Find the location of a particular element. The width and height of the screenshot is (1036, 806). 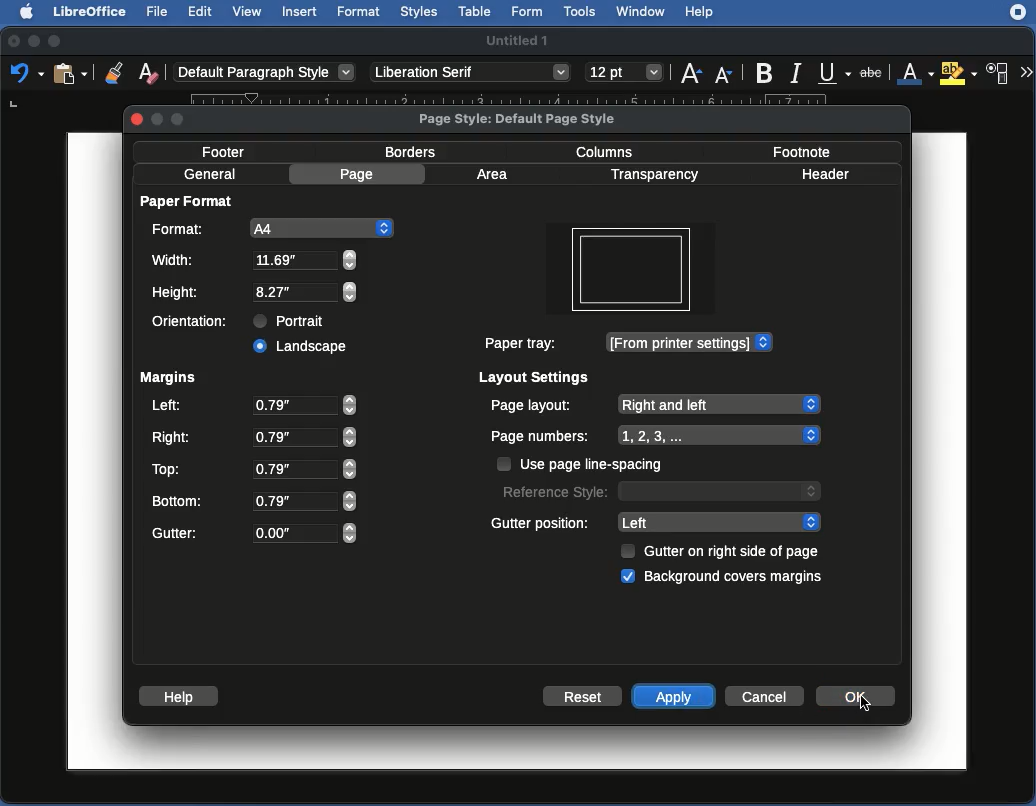

Edit is located at coordinates (200, 12).